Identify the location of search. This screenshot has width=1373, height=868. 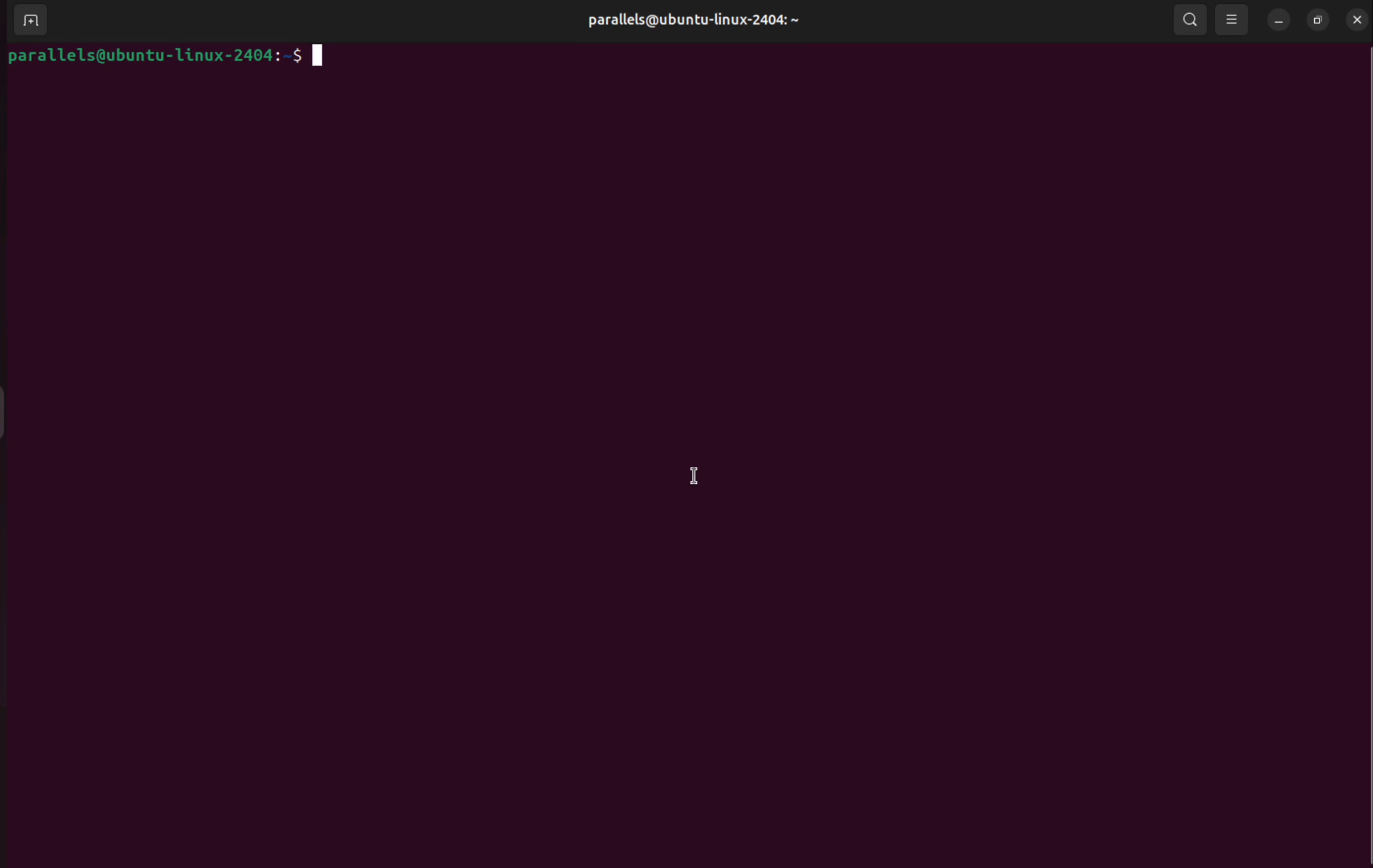
(1191, 22).